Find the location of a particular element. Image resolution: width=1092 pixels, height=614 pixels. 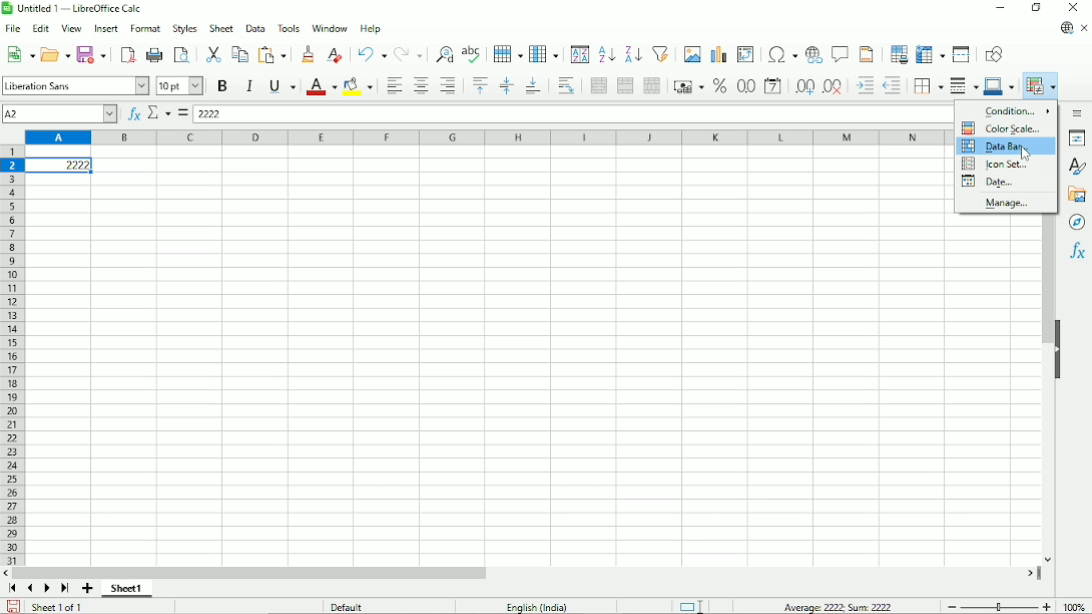

Properties is located at coordinates (1077, 138).